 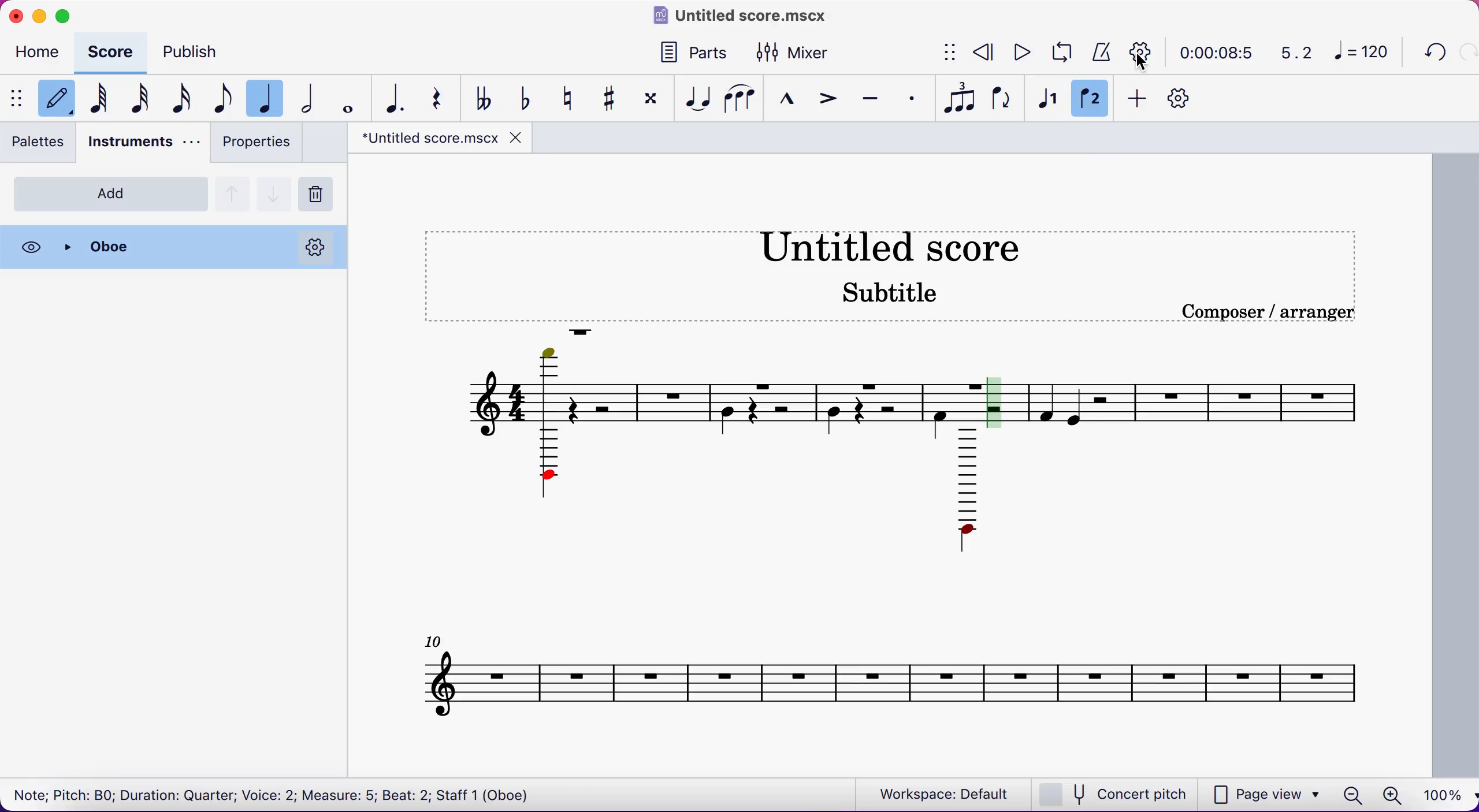 What do you see at coordinates (255, 145) in the screenshot?
I see `properties` at bounding box center [255, 145].